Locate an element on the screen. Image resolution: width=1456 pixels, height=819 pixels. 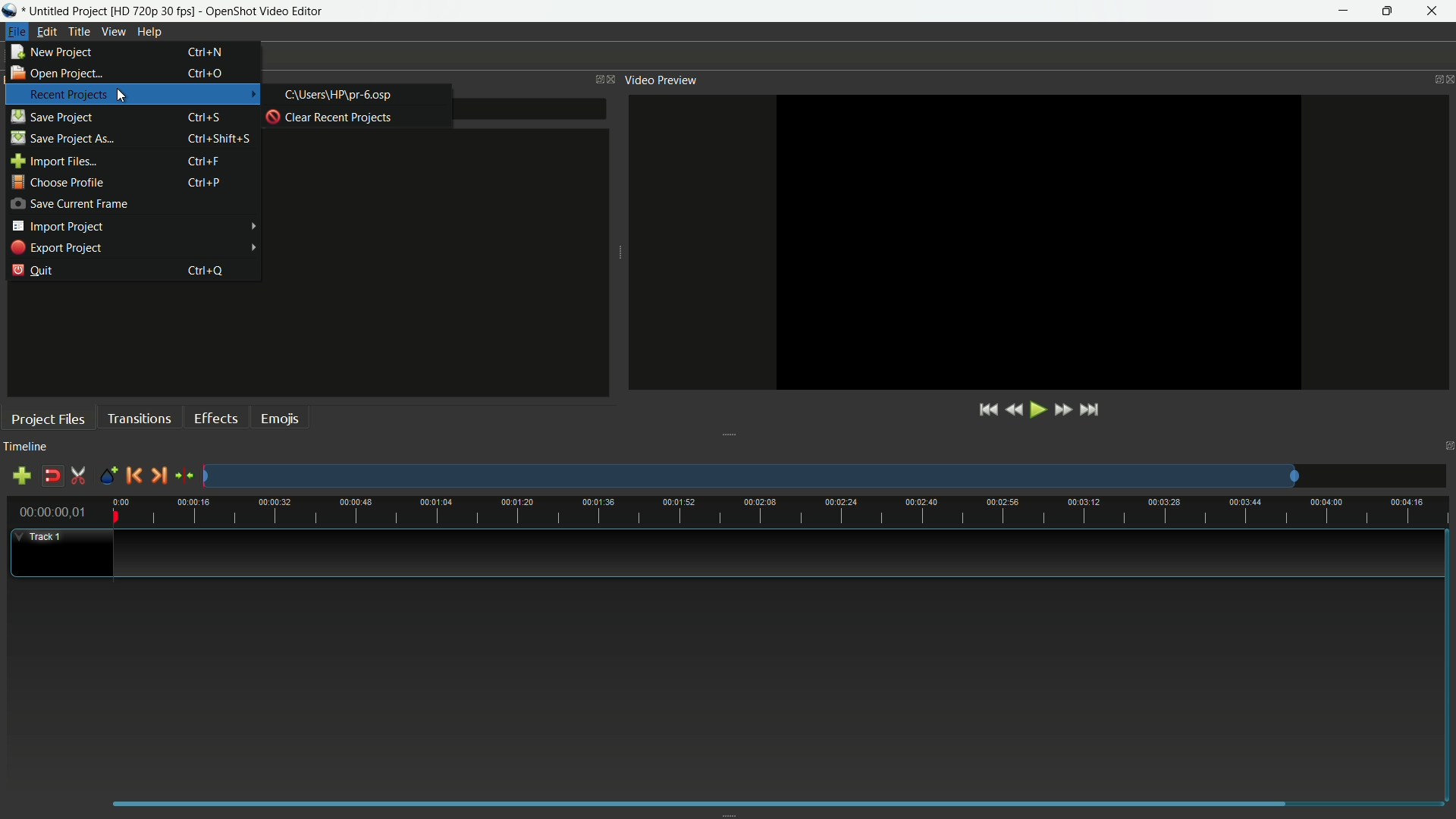
previous marker is located at coordinates (131, 475).